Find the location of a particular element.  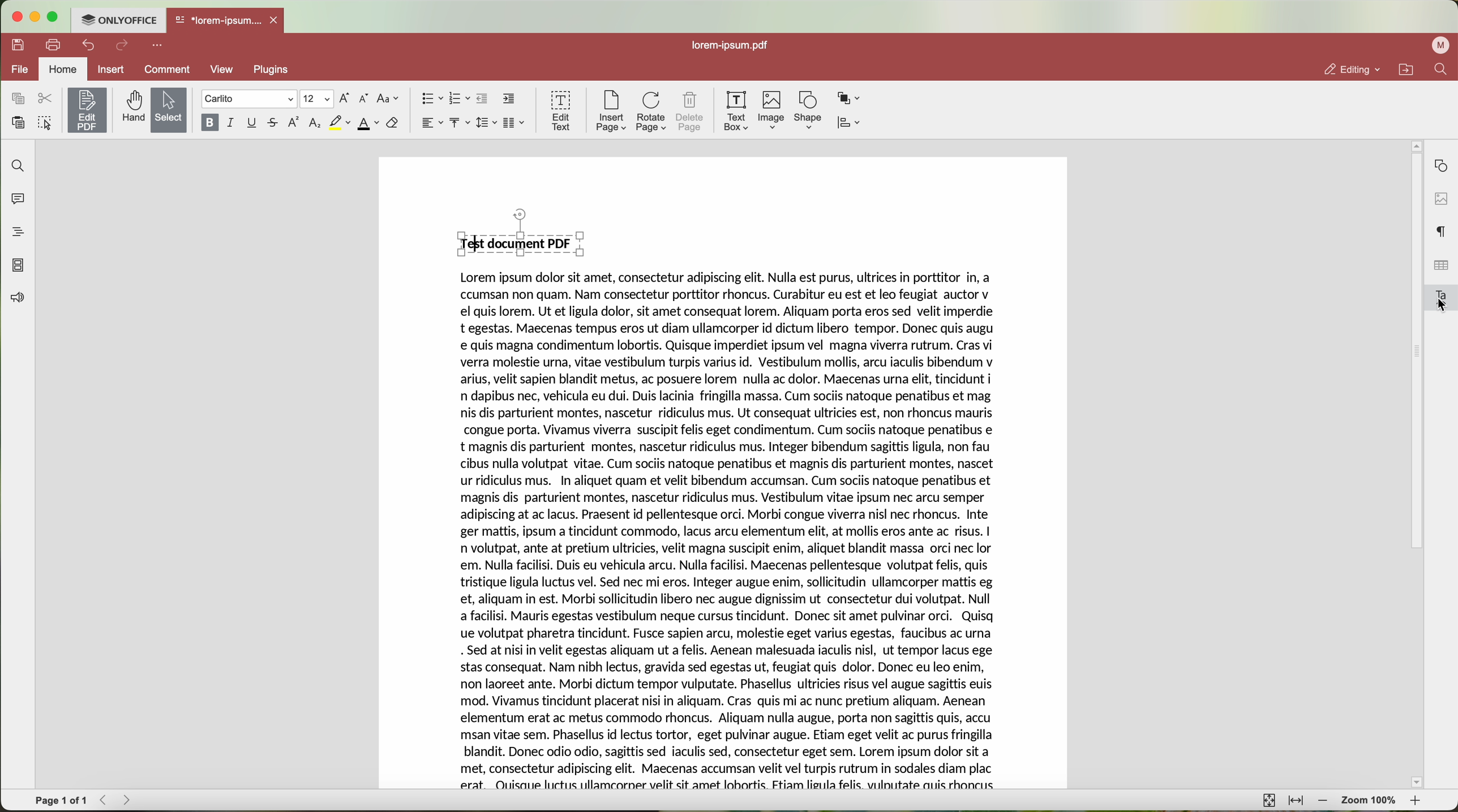

profile user is located at coordinates (1442, 46).